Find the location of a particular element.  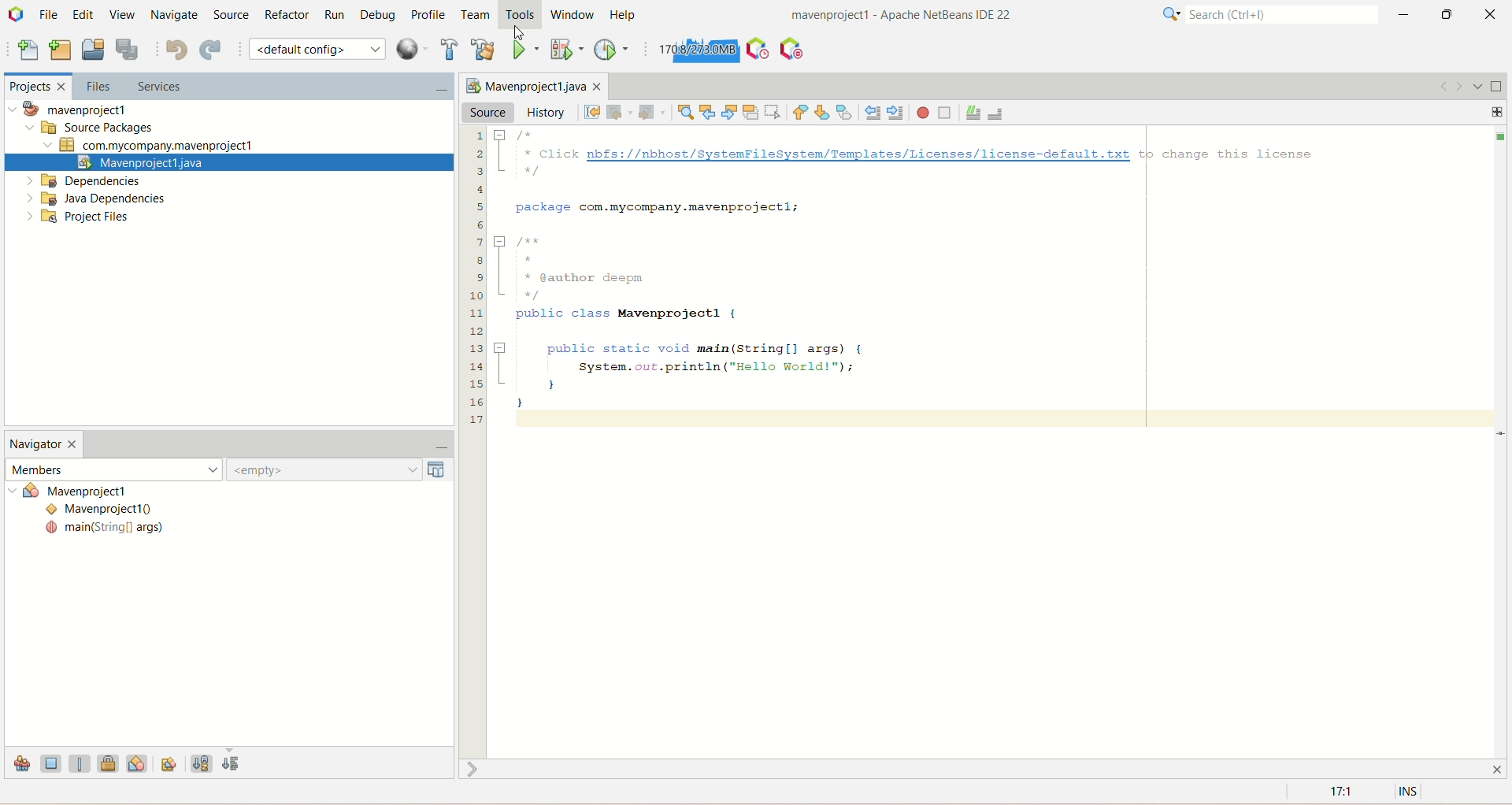

show inherited members is located at coordinates (20, 764).